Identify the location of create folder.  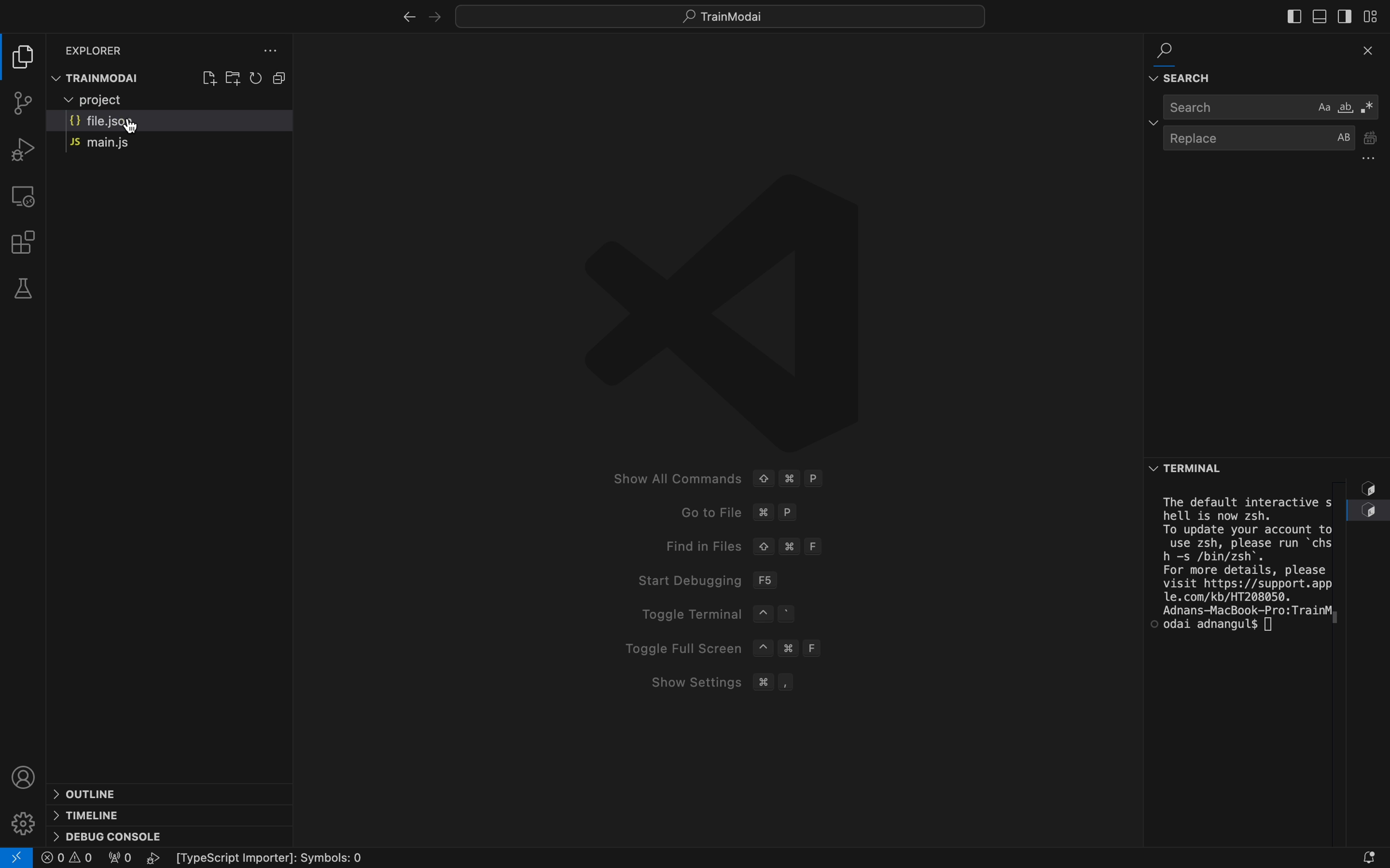
(233, 76).